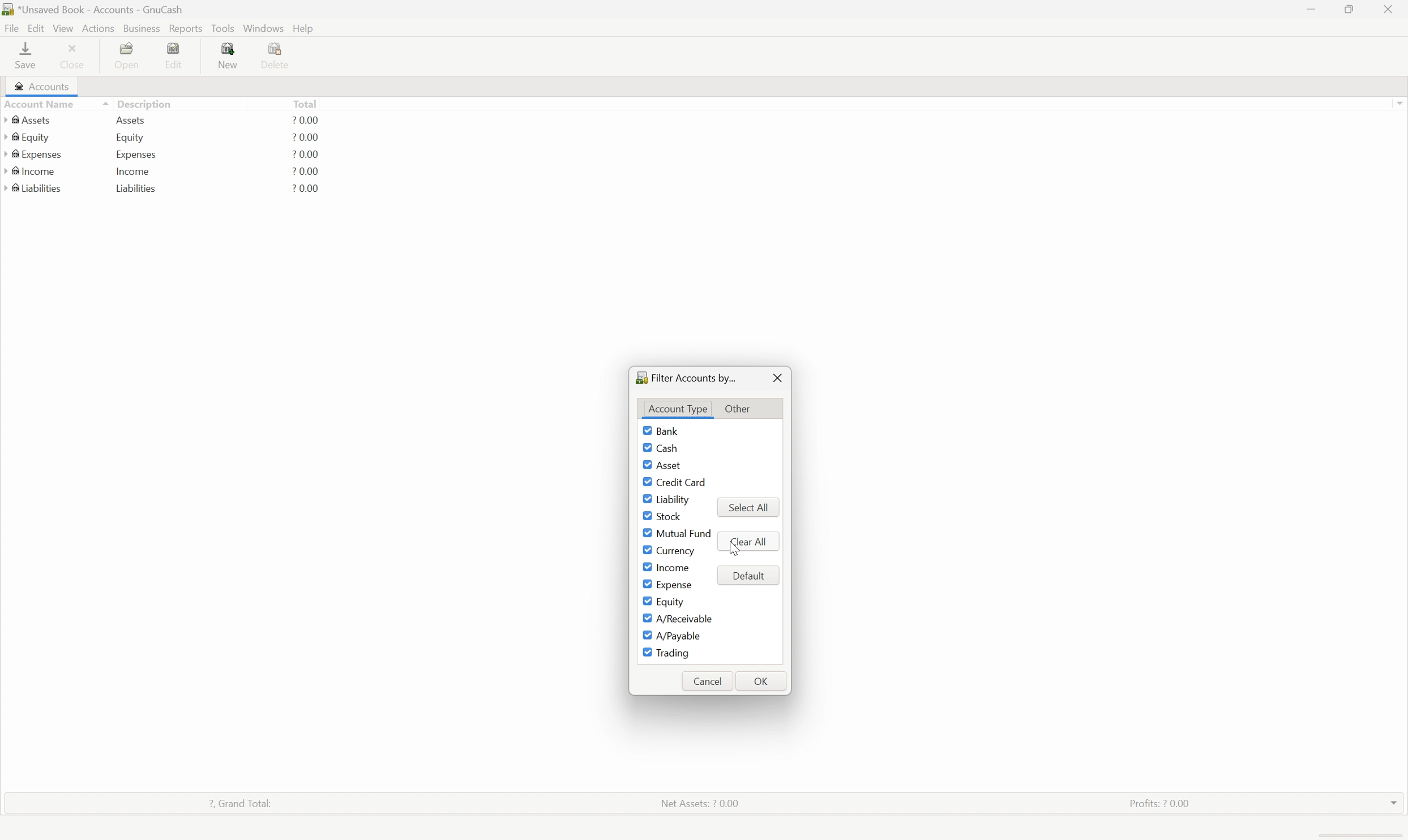 The height and width of the screenshot is (840, 1408). Describe the element at coordinates (643, 635) in the screenshot. I see `Checkbox` at that location.